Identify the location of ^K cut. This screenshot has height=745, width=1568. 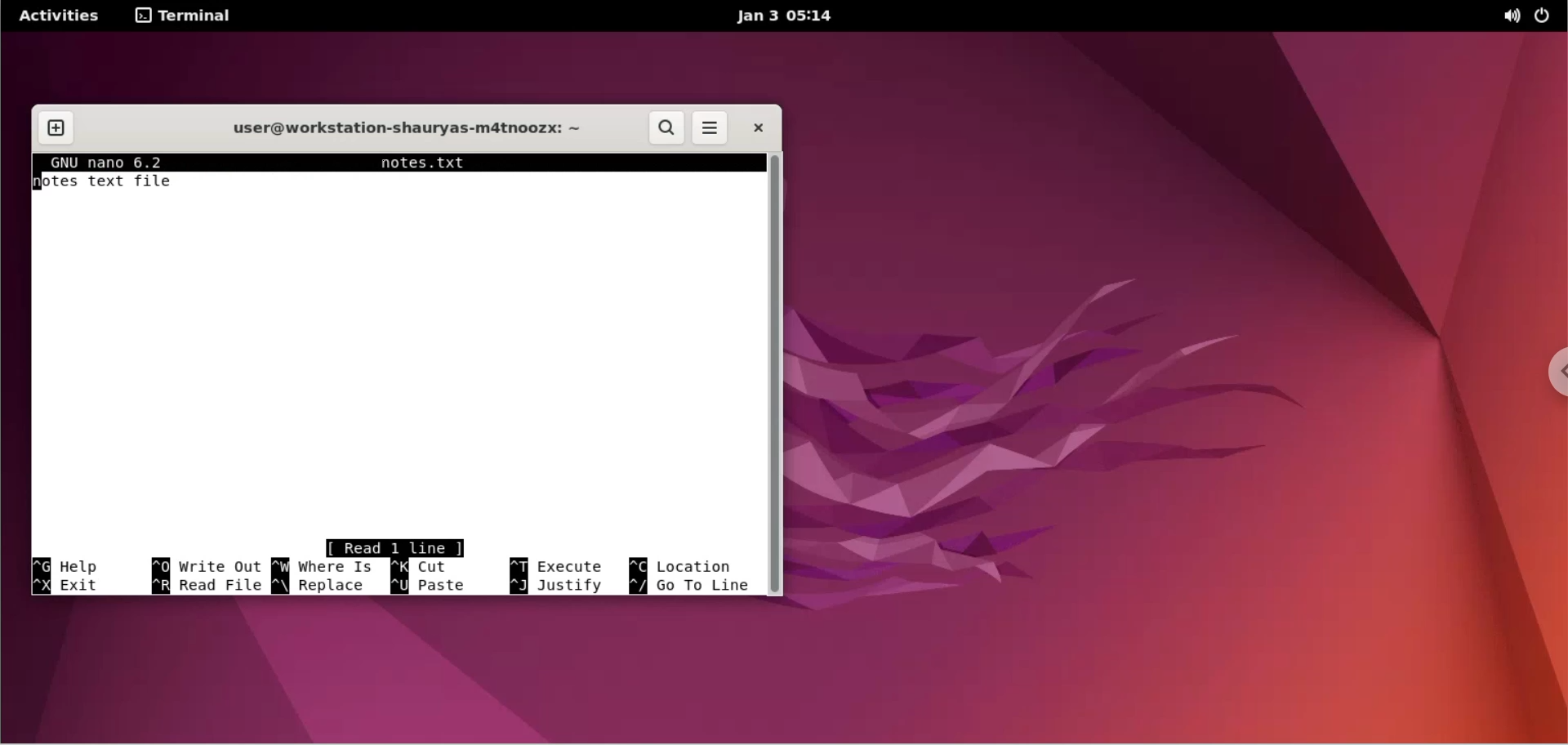
(447, 565).